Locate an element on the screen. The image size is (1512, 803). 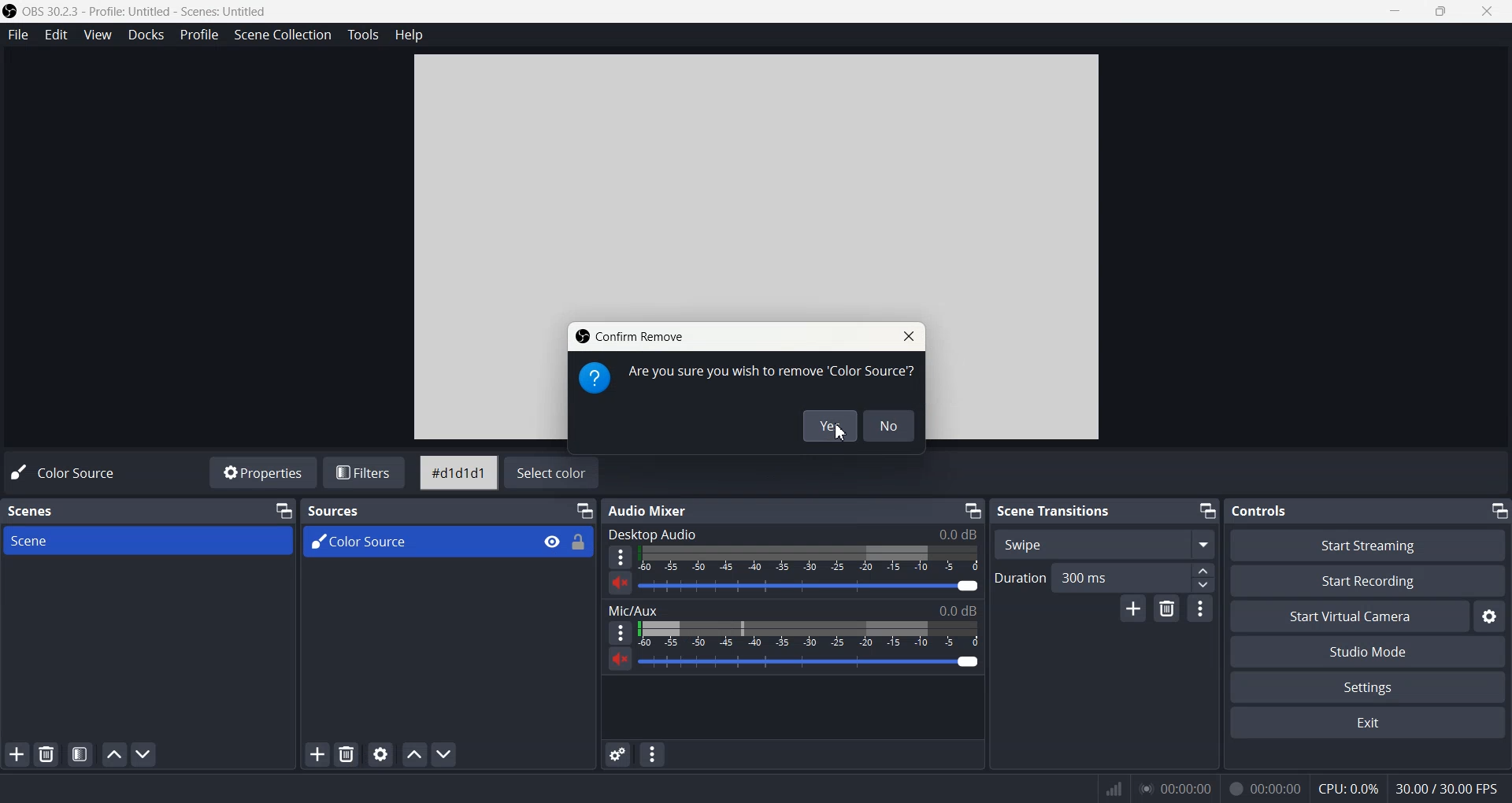
Start Recording is located at coordinates (1369, 581).